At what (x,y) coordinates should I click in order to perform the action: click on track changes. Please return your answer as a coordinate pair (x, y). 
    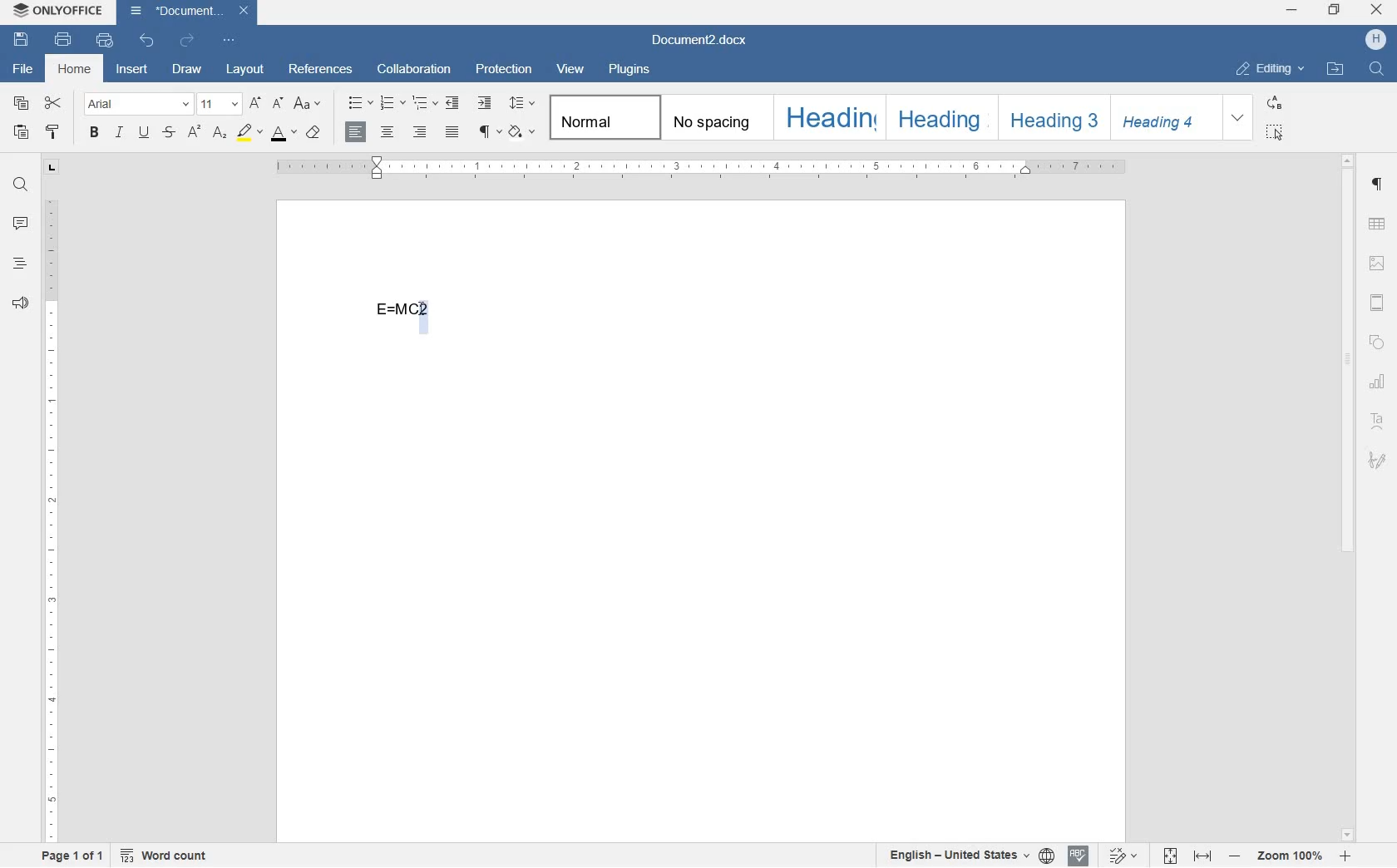
    Looking at the image, I should click on (1124, 856).